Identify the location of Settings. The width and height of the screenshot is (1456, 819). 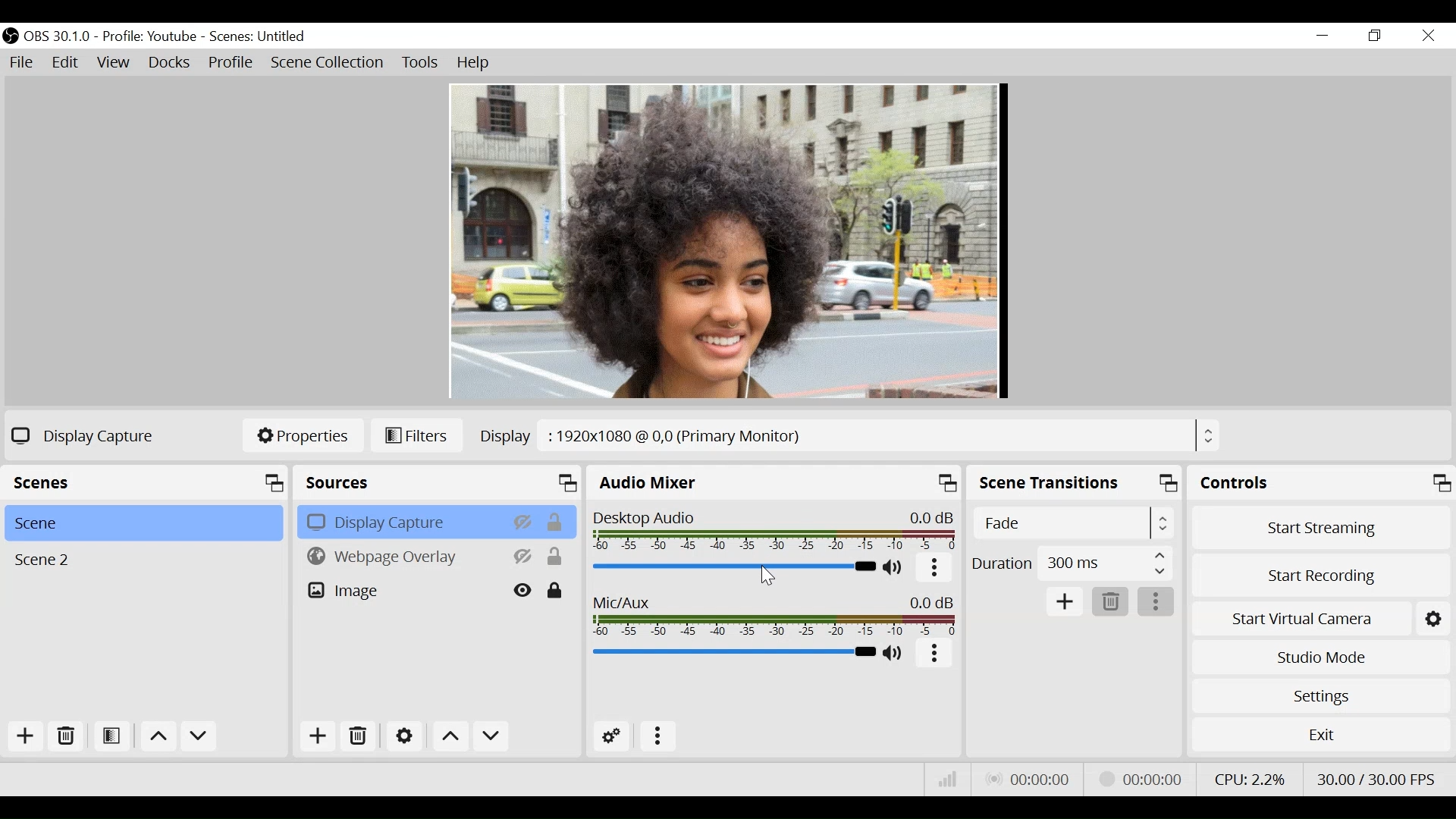
(1435, 618).